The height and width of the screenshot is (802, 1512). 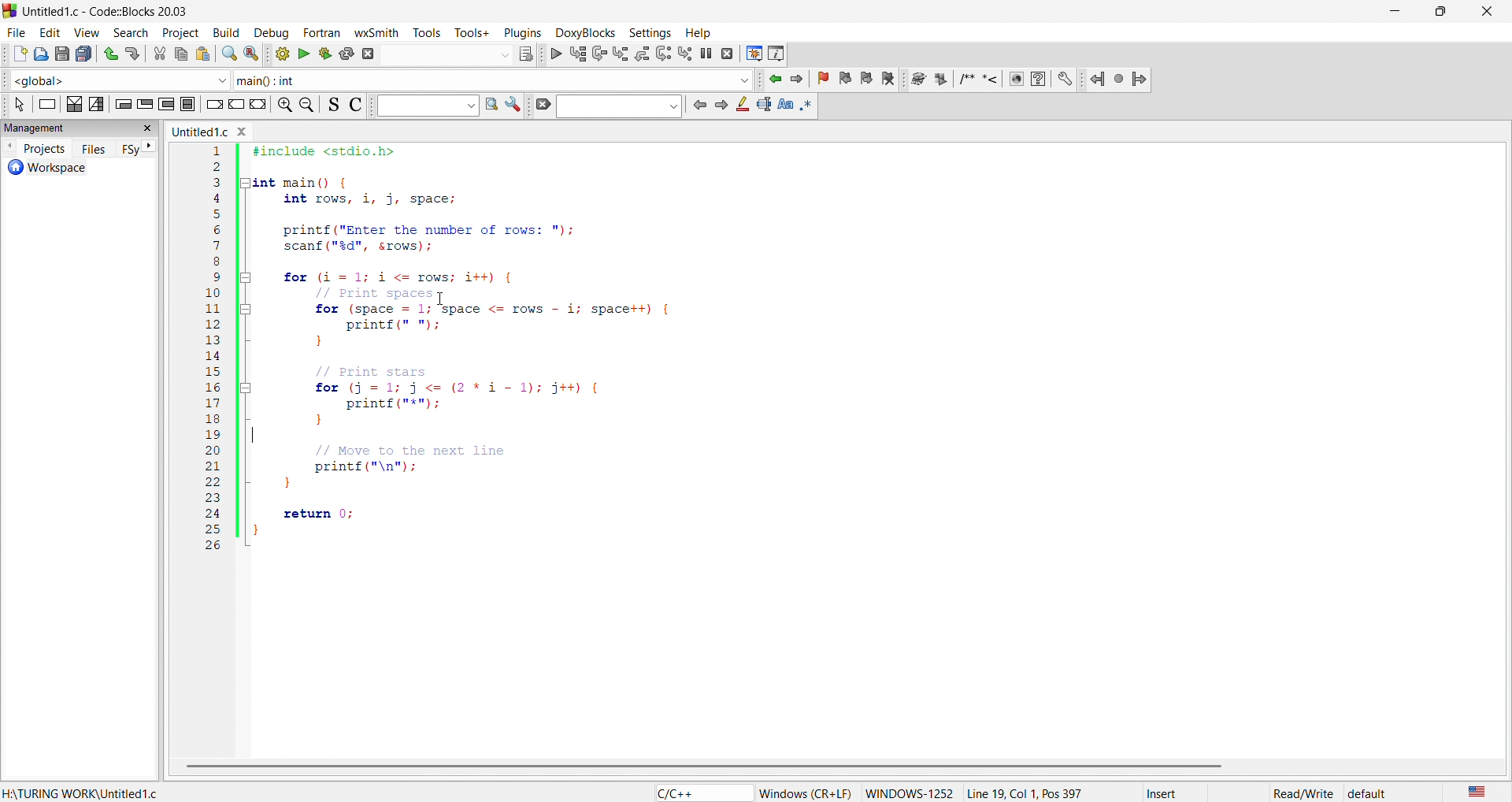 What do you see at coordinates (330, 106) in the screenshot?
I see `toggle source` at bounding box center [330, 106].